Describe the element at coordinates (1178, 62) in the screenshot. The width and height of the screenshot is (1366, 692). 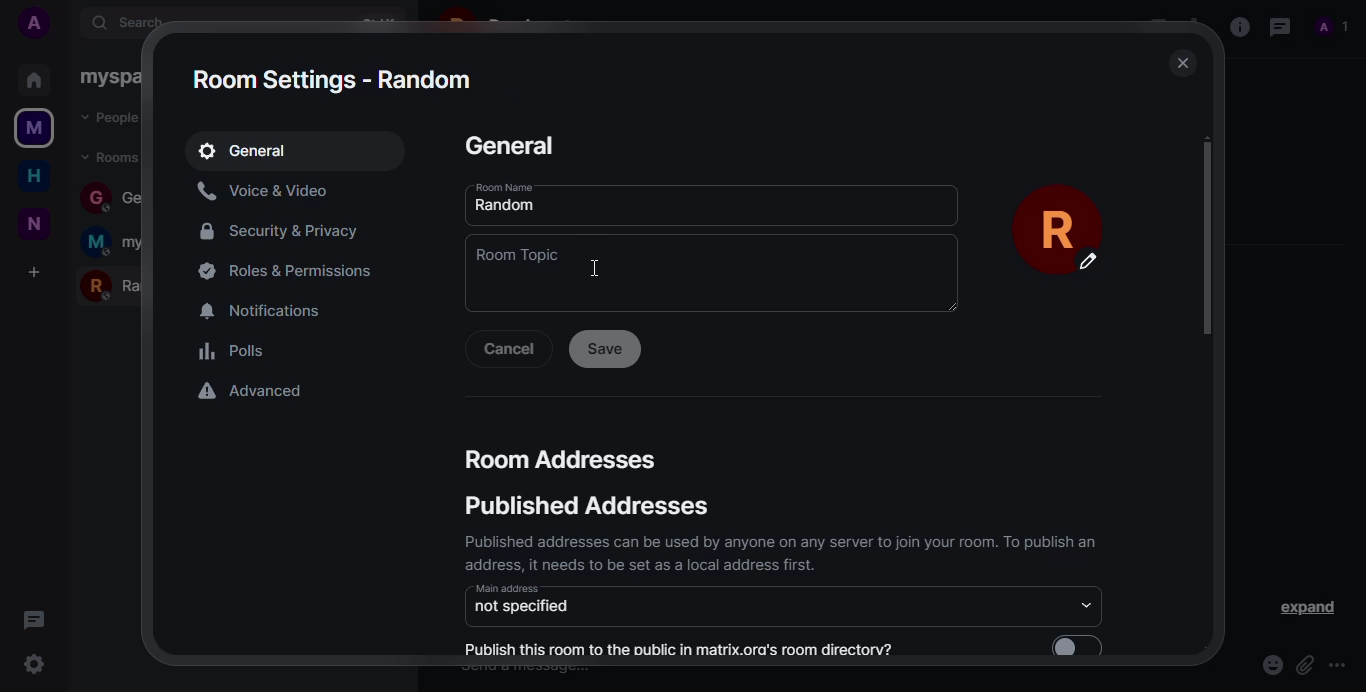
I see `close` at that location.